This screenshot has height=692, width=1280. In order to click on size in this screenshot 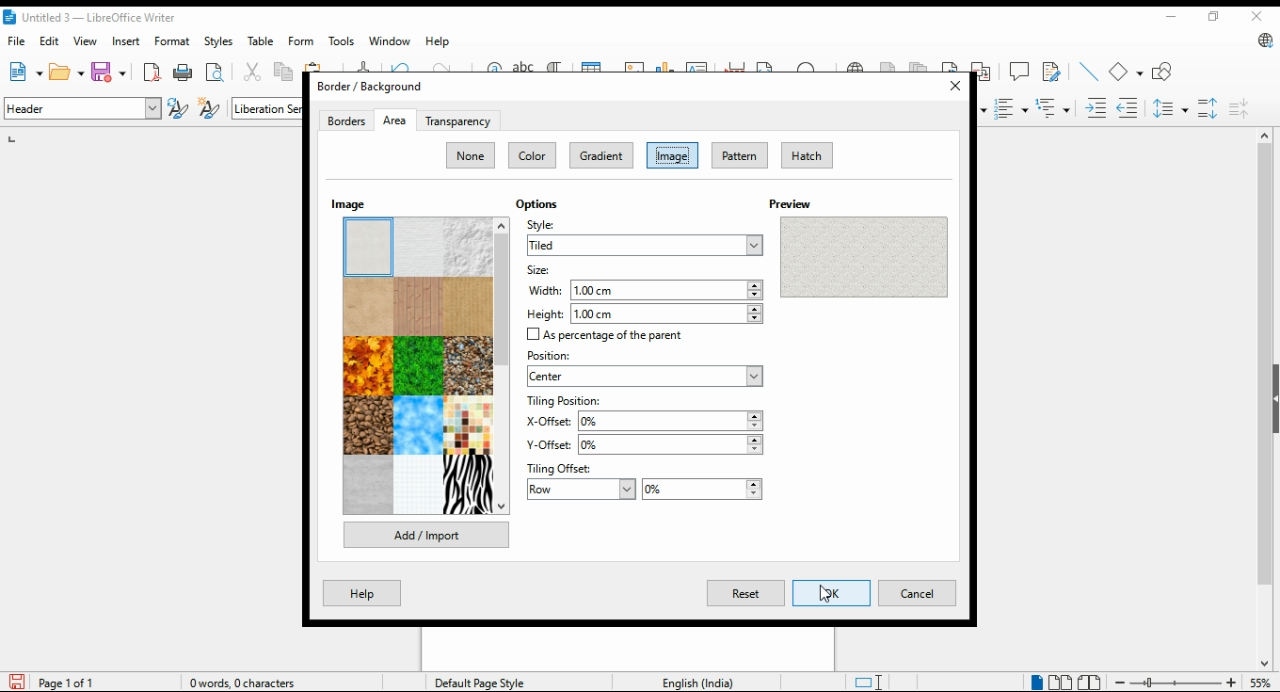, I will do `click(541, 270)`.